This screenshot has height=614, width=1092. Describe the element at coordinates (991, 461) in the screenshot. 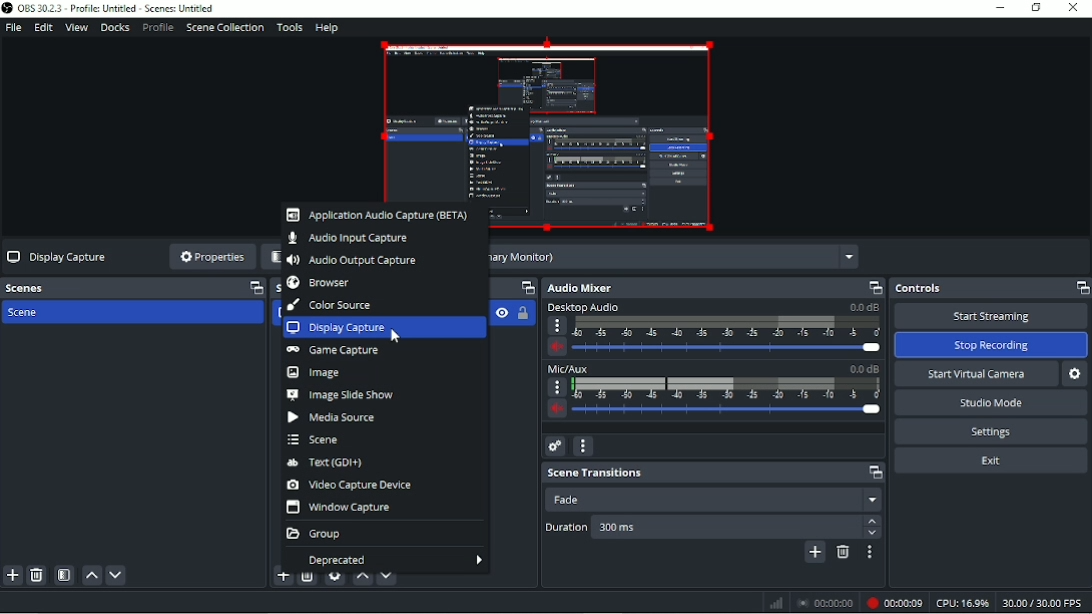

I see `Exit` at that location.